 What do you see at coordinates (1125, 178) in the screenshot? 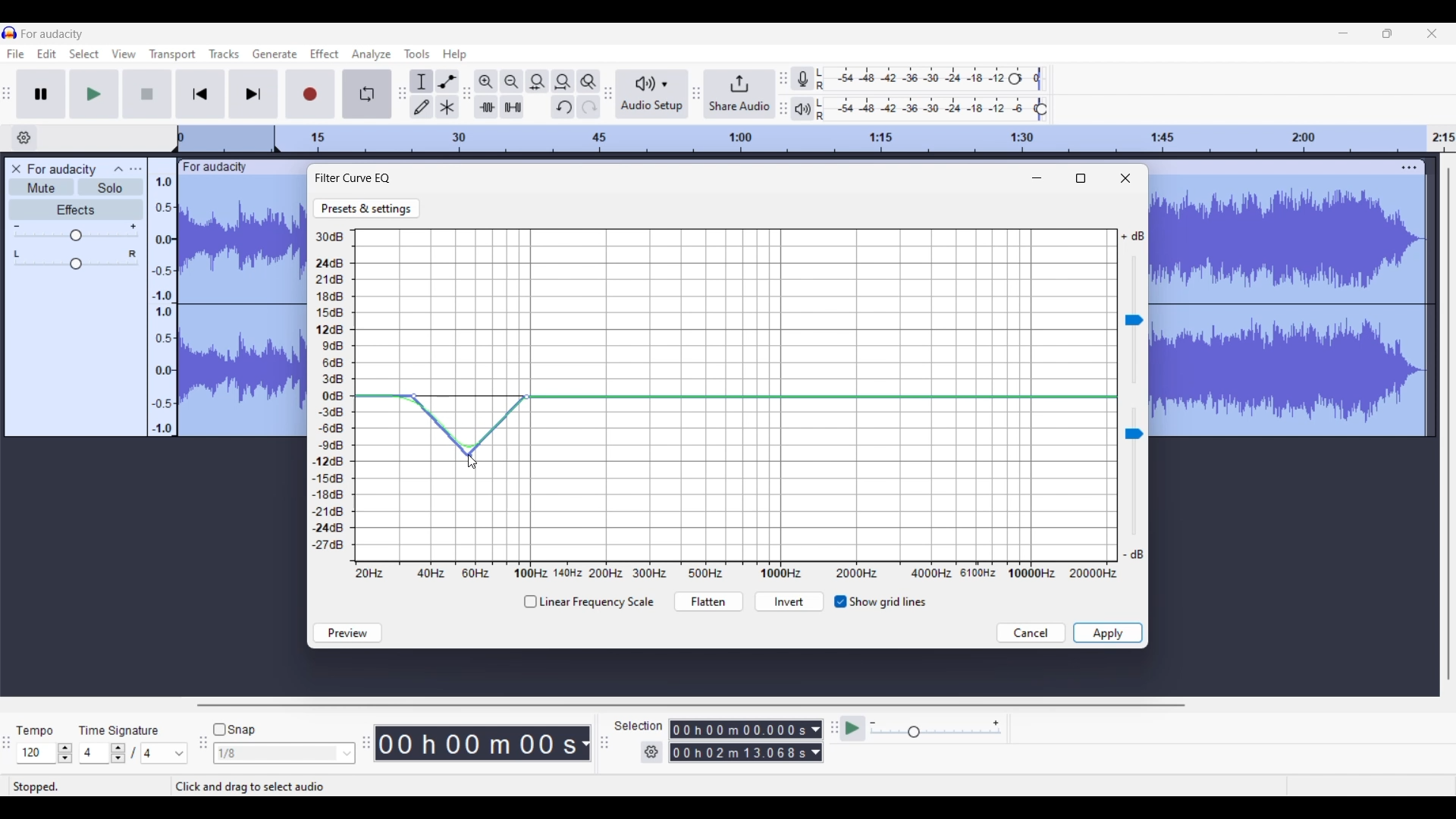
I see `Close window` at bounding box center [1125, 178].